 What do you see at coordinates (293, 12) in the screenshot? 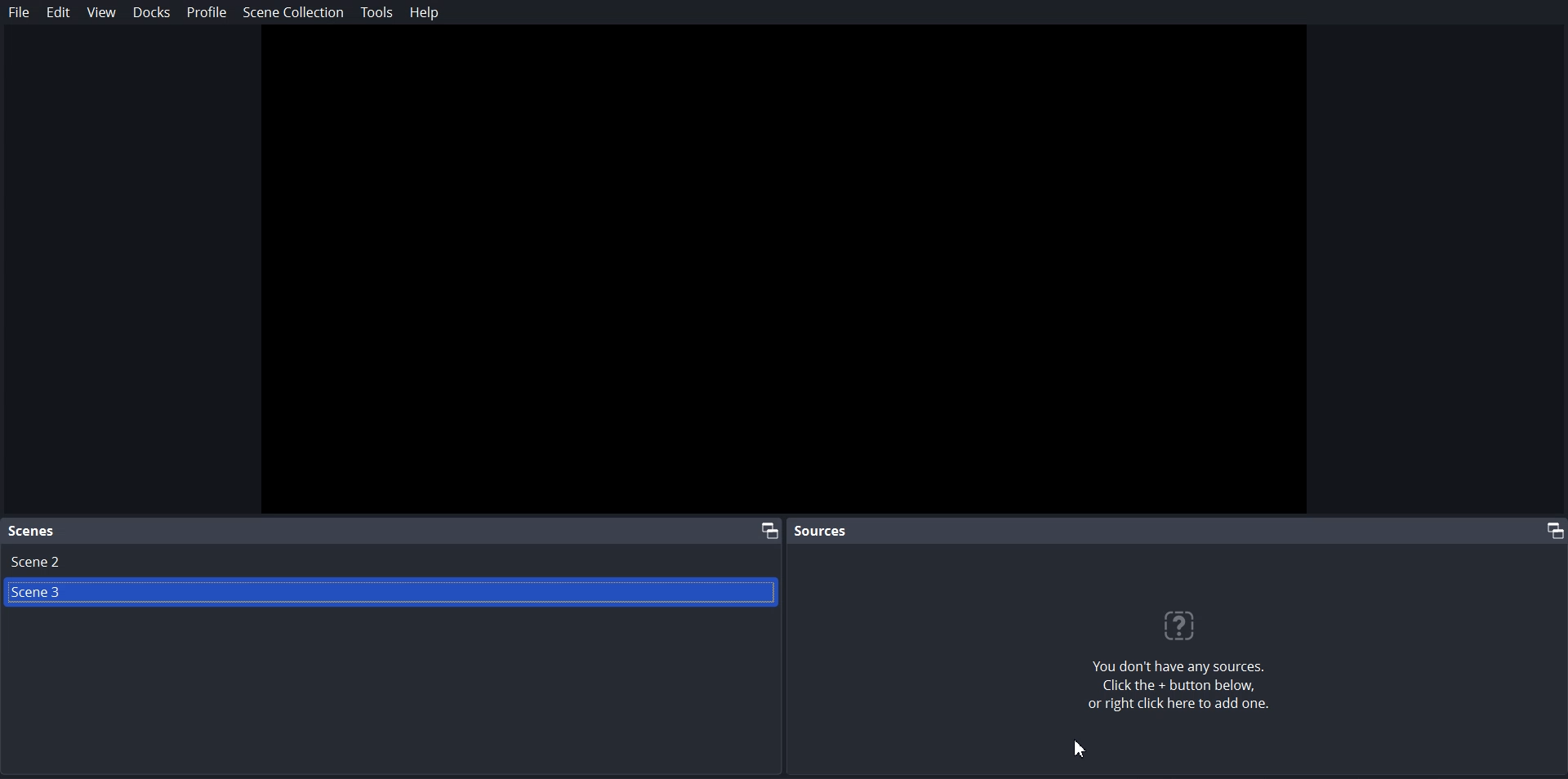
I see `Scene Collection` at bounding box center [293, 12].